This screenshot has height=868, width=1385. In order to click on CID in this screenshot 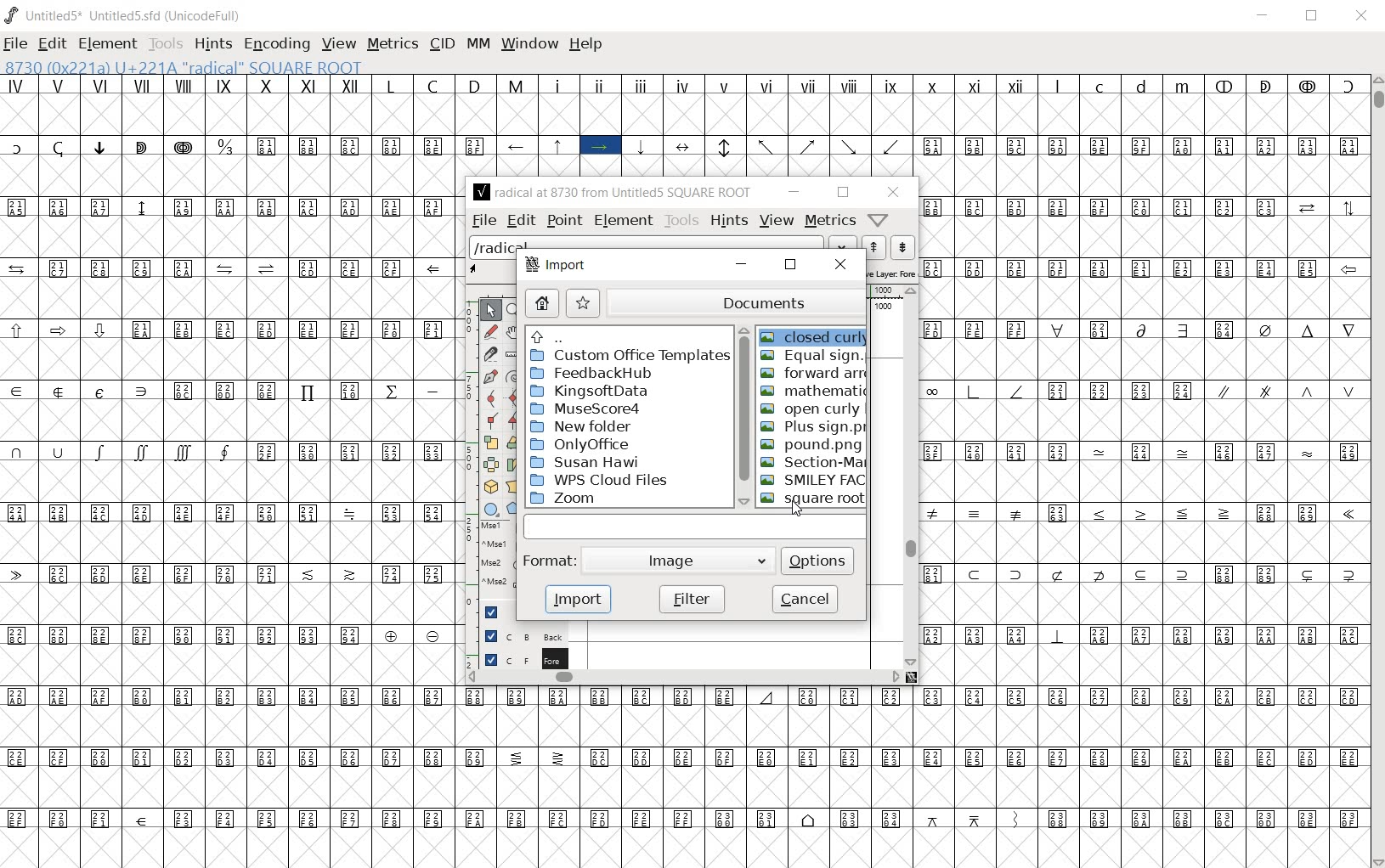, I will do `click(441, 43)`.